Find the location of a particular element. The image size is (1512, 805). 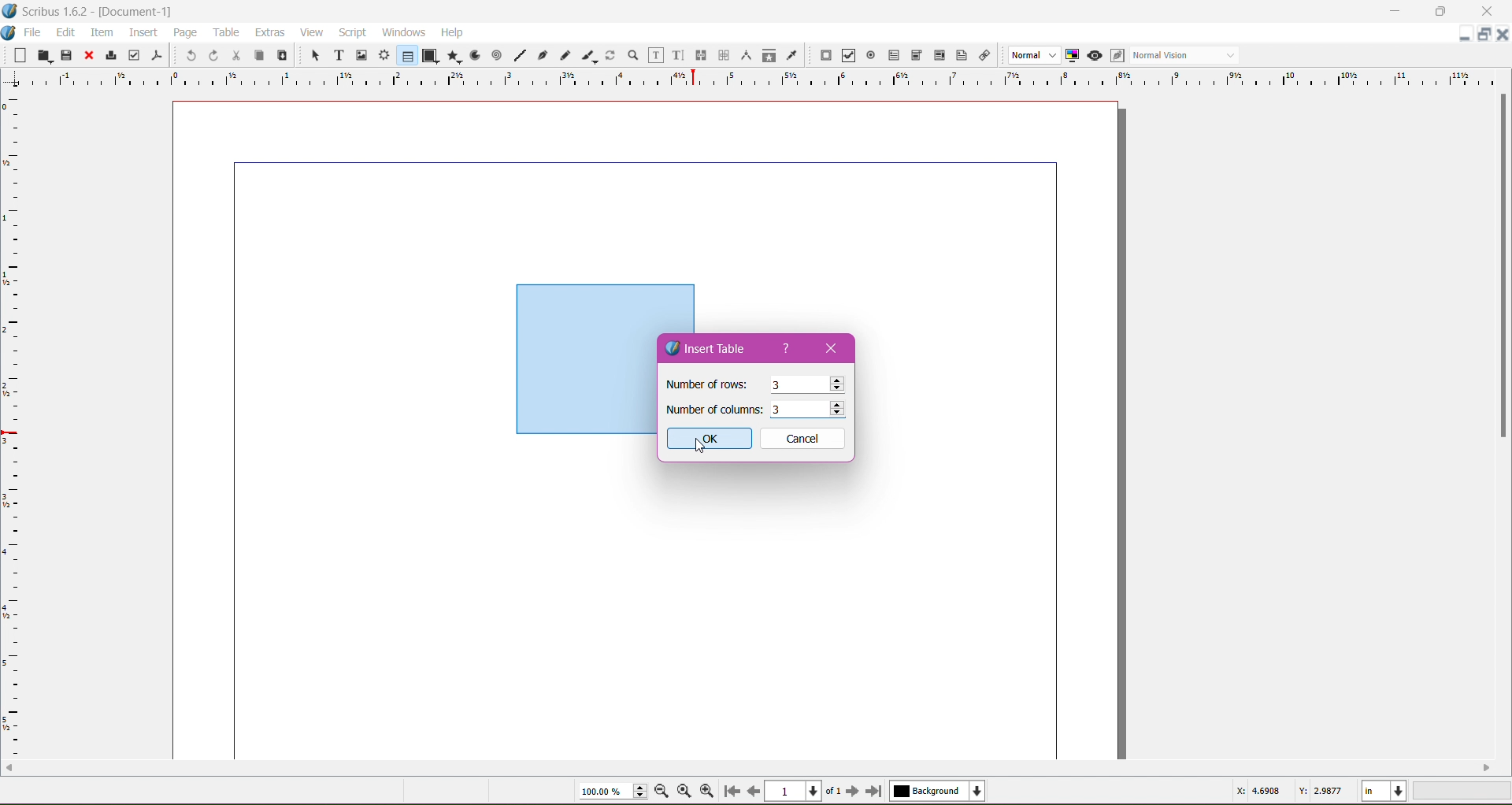

PDF Push button is located at coordinates (824, 56).